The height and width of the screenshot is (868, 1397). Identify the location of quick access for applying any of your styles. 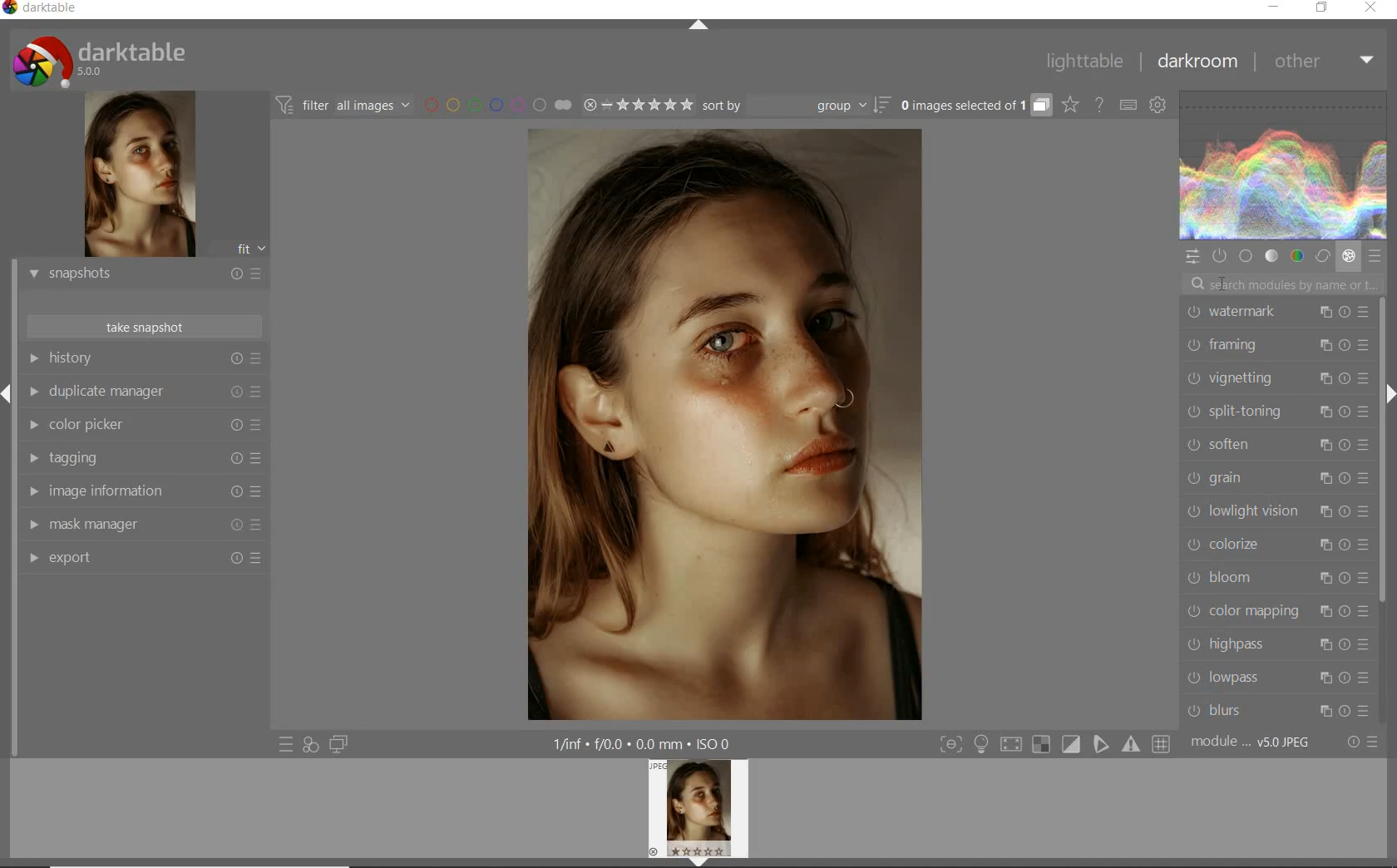
(309, 745).